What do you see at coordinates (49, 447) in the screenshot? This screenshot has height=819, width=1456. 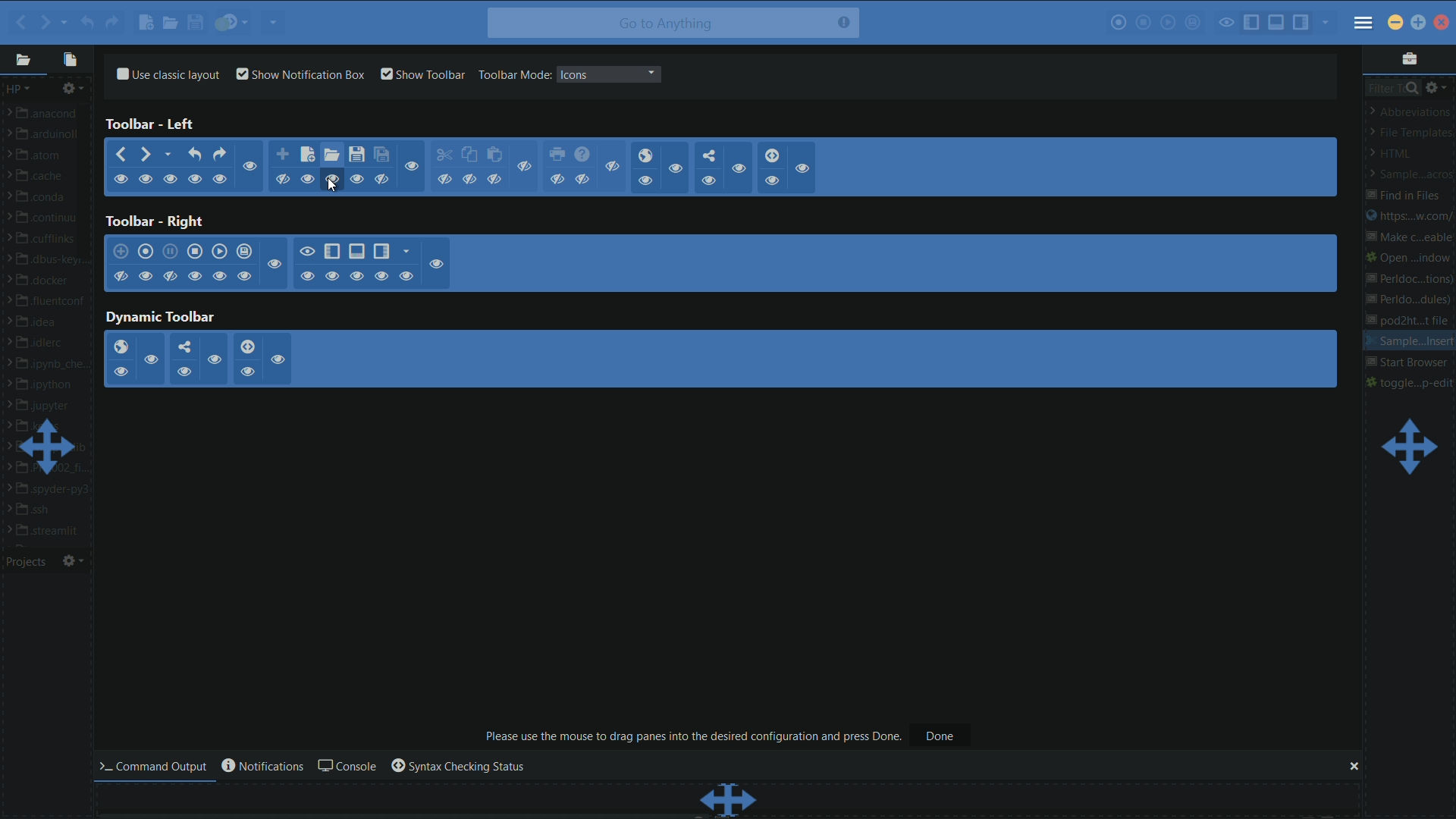 I see `change layout` at bounding box center [49, 447].